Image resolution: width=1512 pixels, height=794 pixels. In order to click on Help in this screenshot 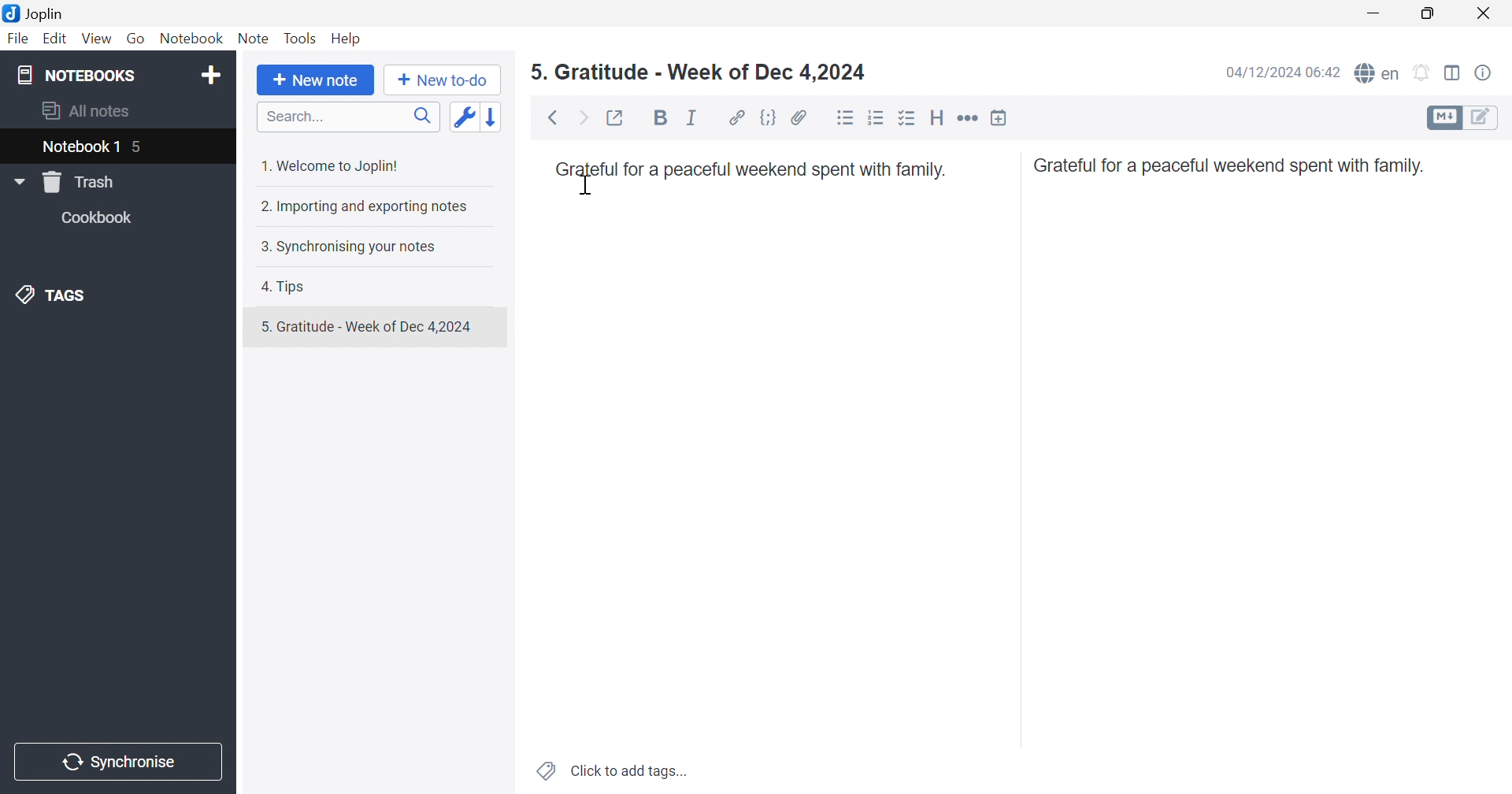, I will do `click(348, 39)`.